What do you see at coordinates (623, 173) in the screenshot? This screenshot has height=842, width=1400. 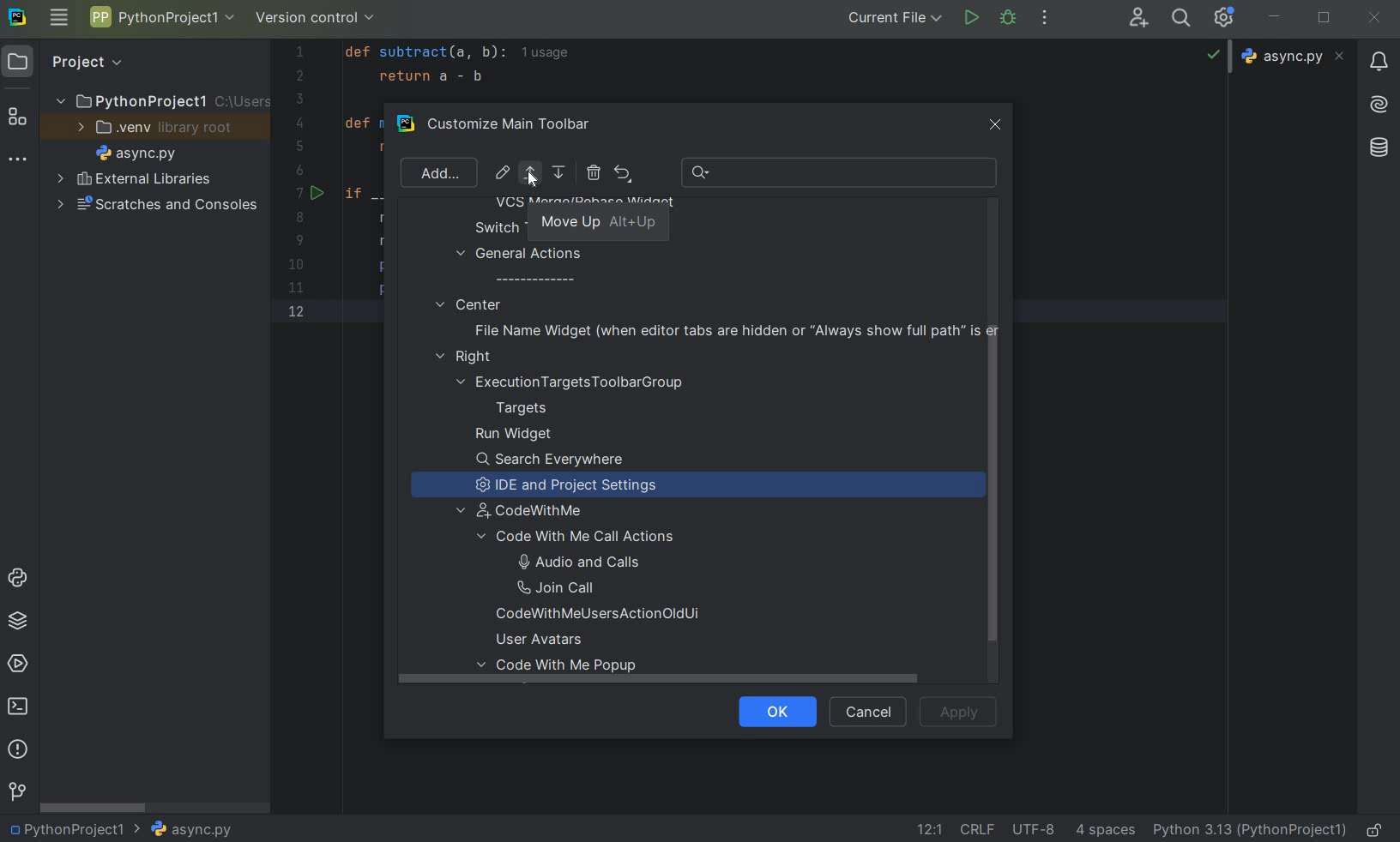 I see `RESTORE ACTIONS` at bounding box center [623, 173].